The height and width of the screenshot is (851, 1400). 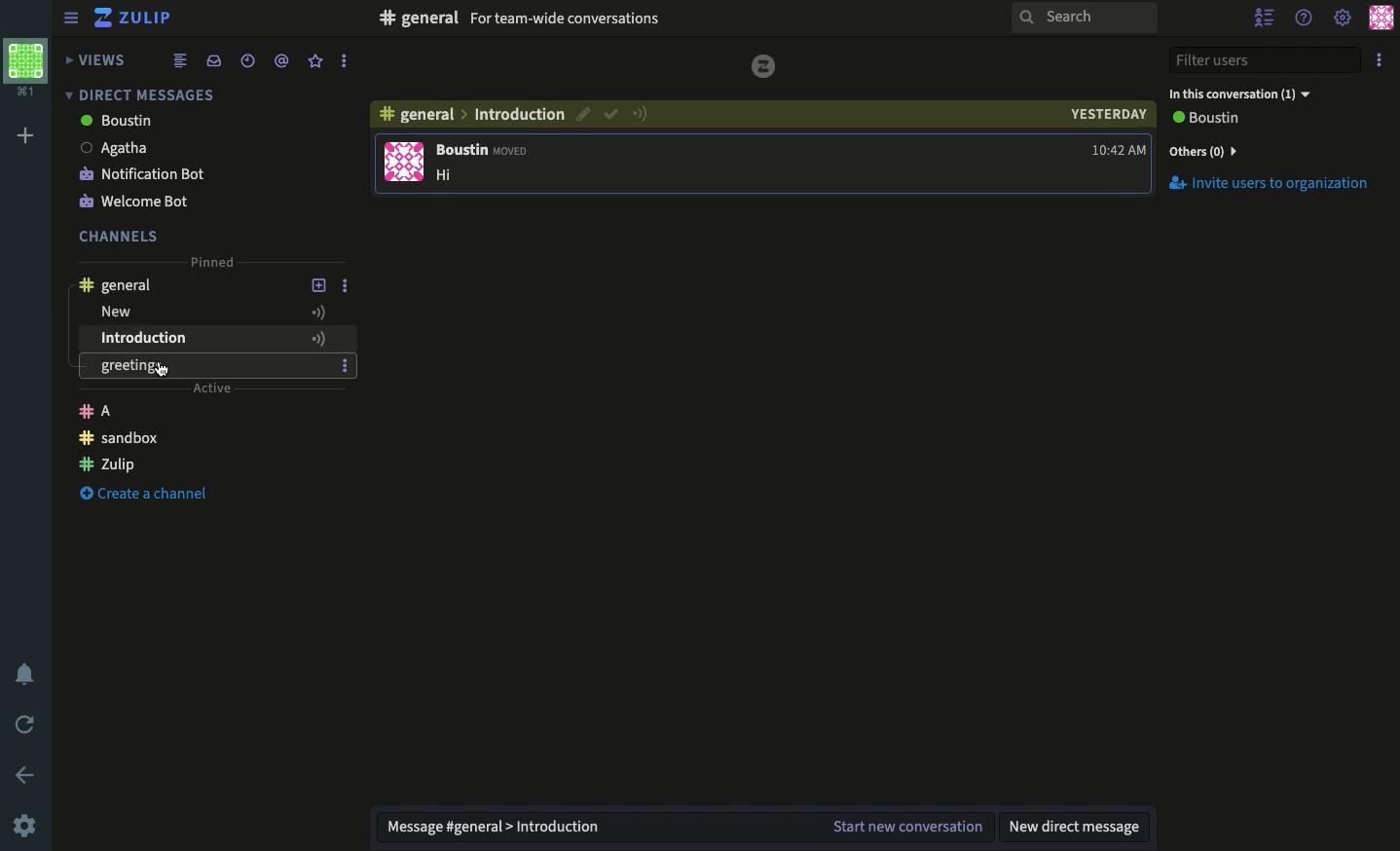 What do you see at coordinates (343, 61) in the screenshot?
I see `Options` at bounding box center [343, 61].